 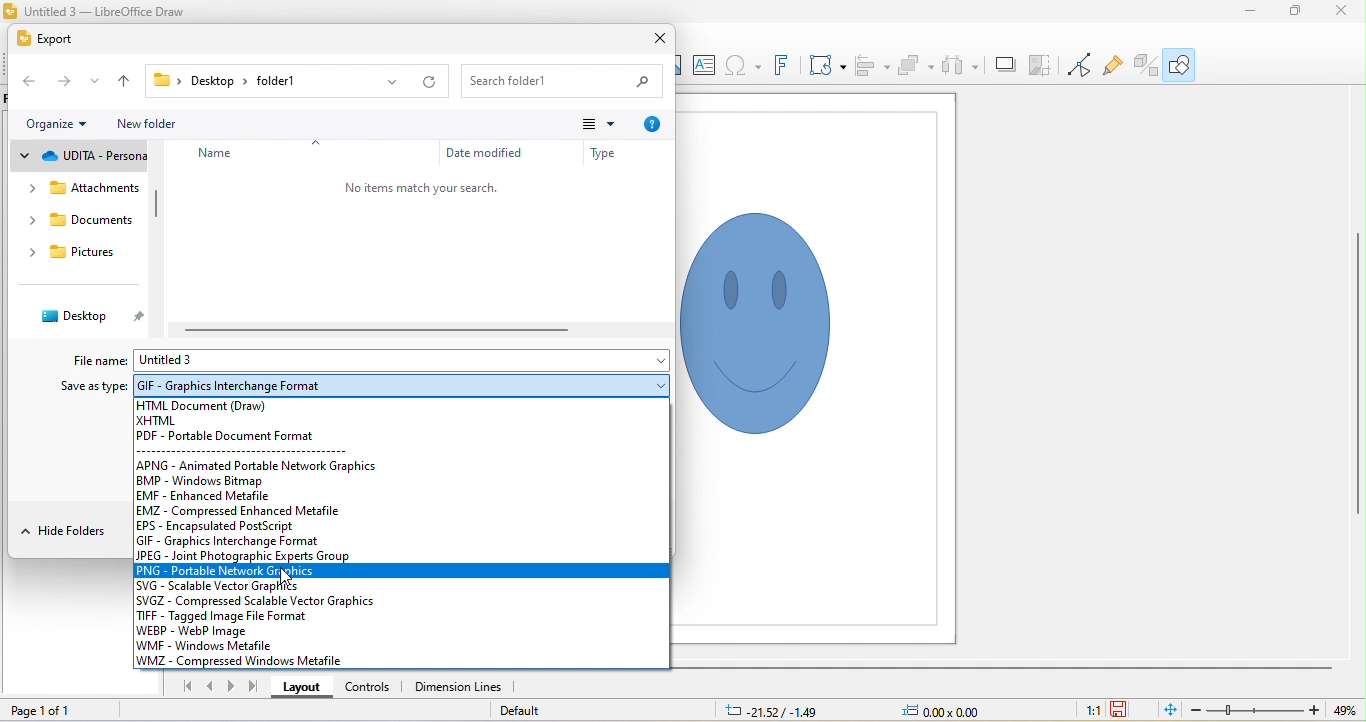 I want to click on file name: untitled3, so click(x=198, y=360).